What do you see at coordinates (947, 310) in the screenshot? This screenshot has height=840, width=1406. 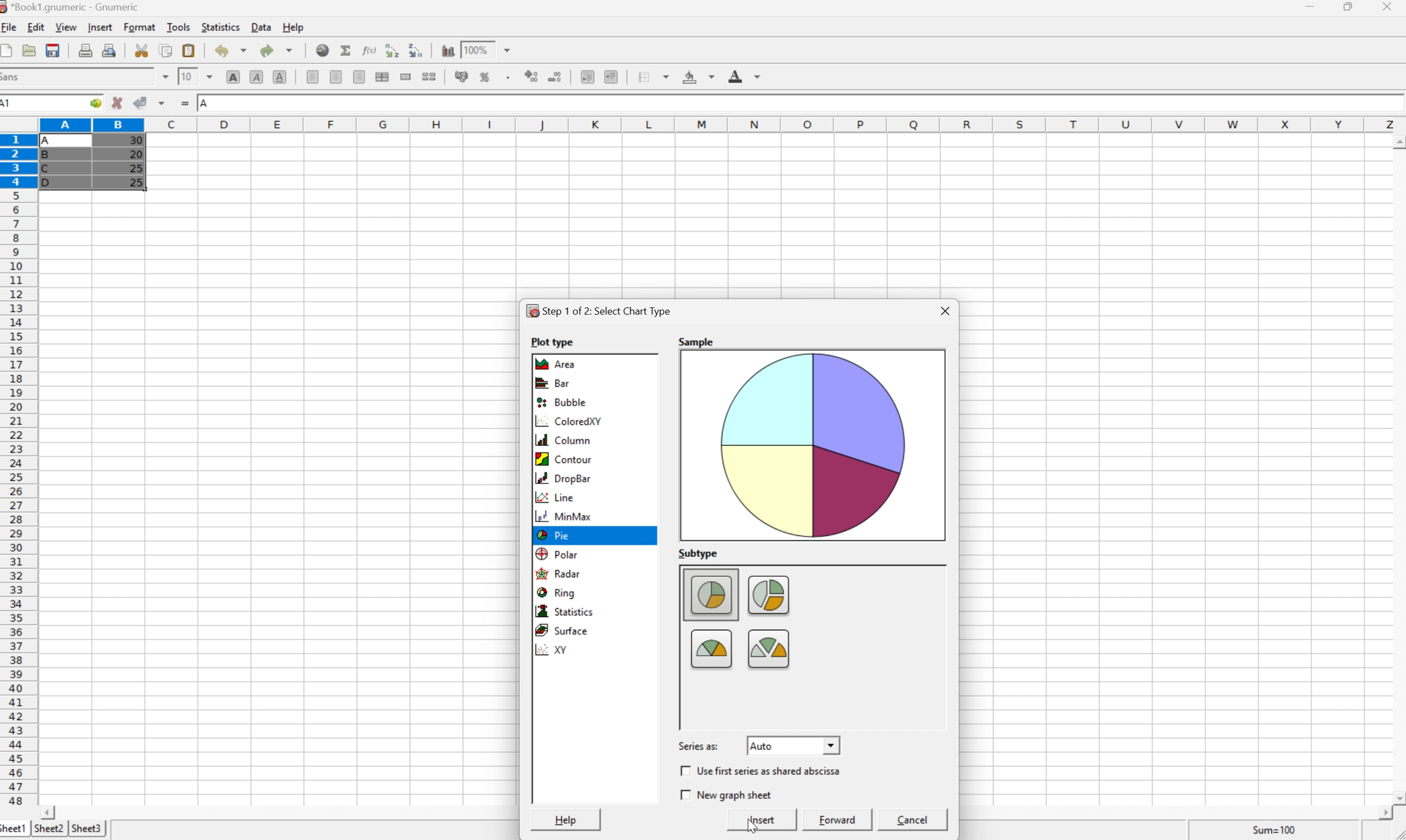 I see `Close` at bounding box center [947, 310].